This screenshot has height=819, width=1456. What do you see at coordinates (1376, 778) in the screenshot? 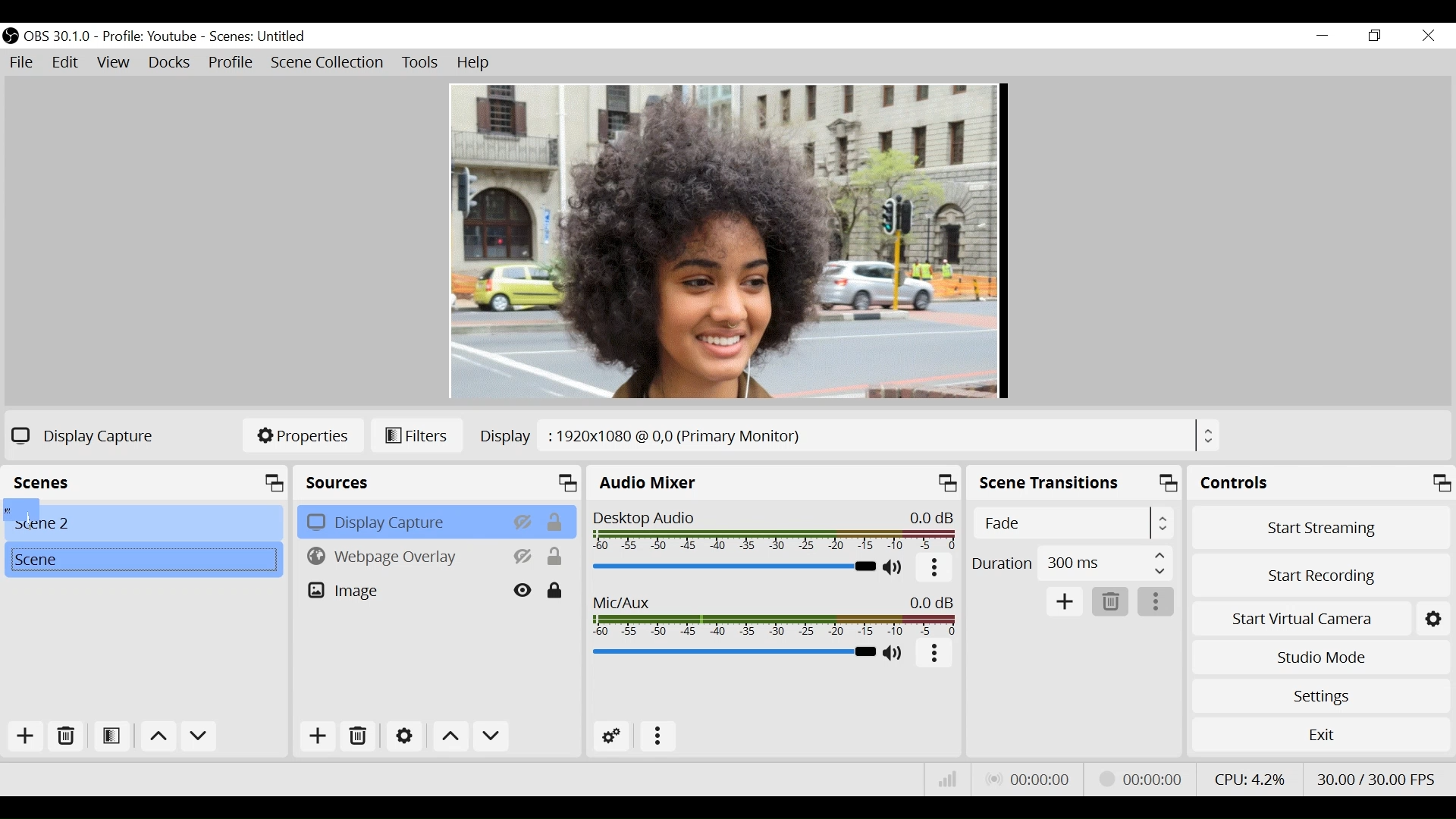
I see `Frame Per Second` at bounding box center [1376, 778].